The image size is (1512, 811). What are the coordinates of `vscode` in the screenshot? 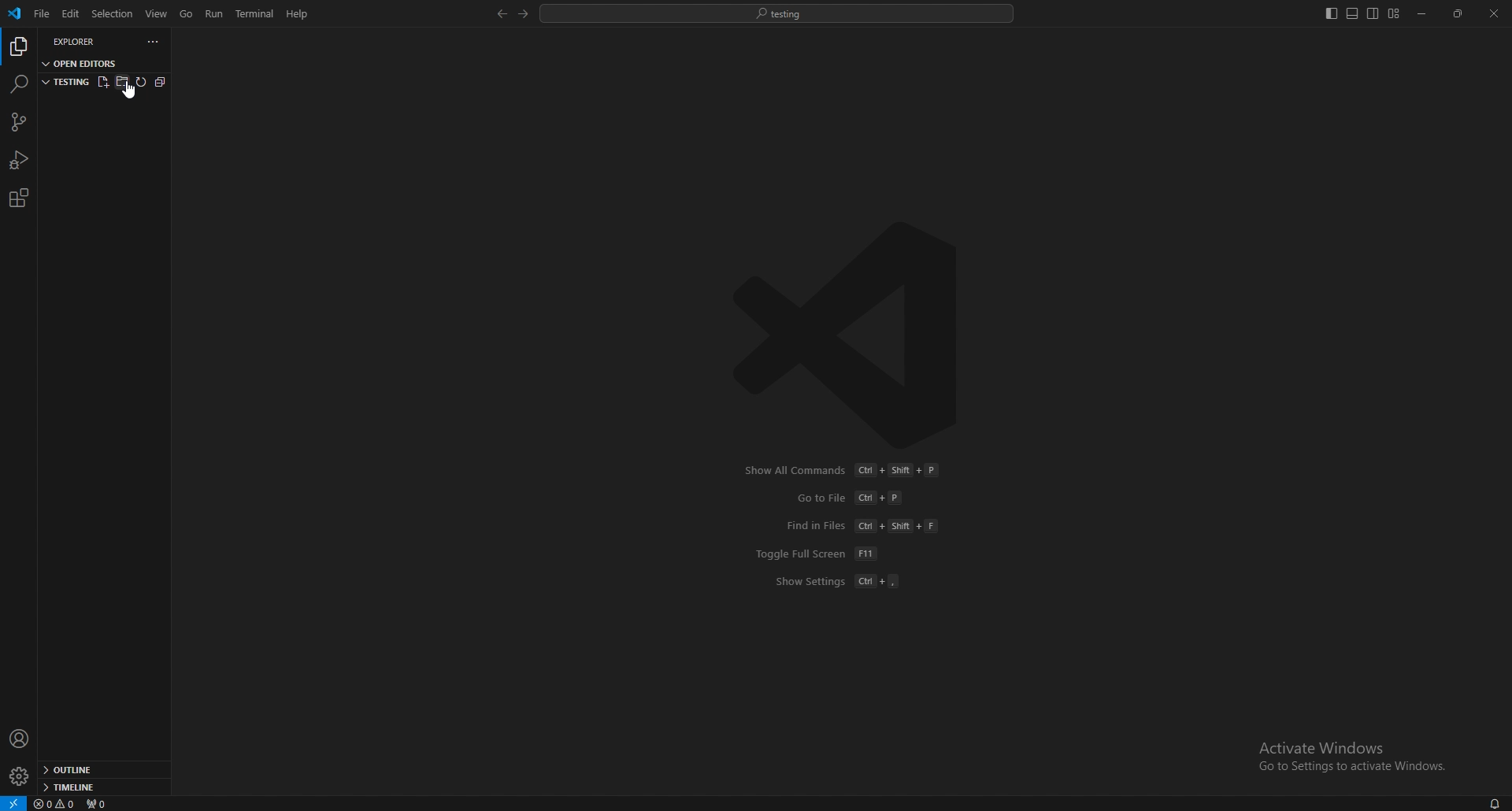 It's located at (16, 13).